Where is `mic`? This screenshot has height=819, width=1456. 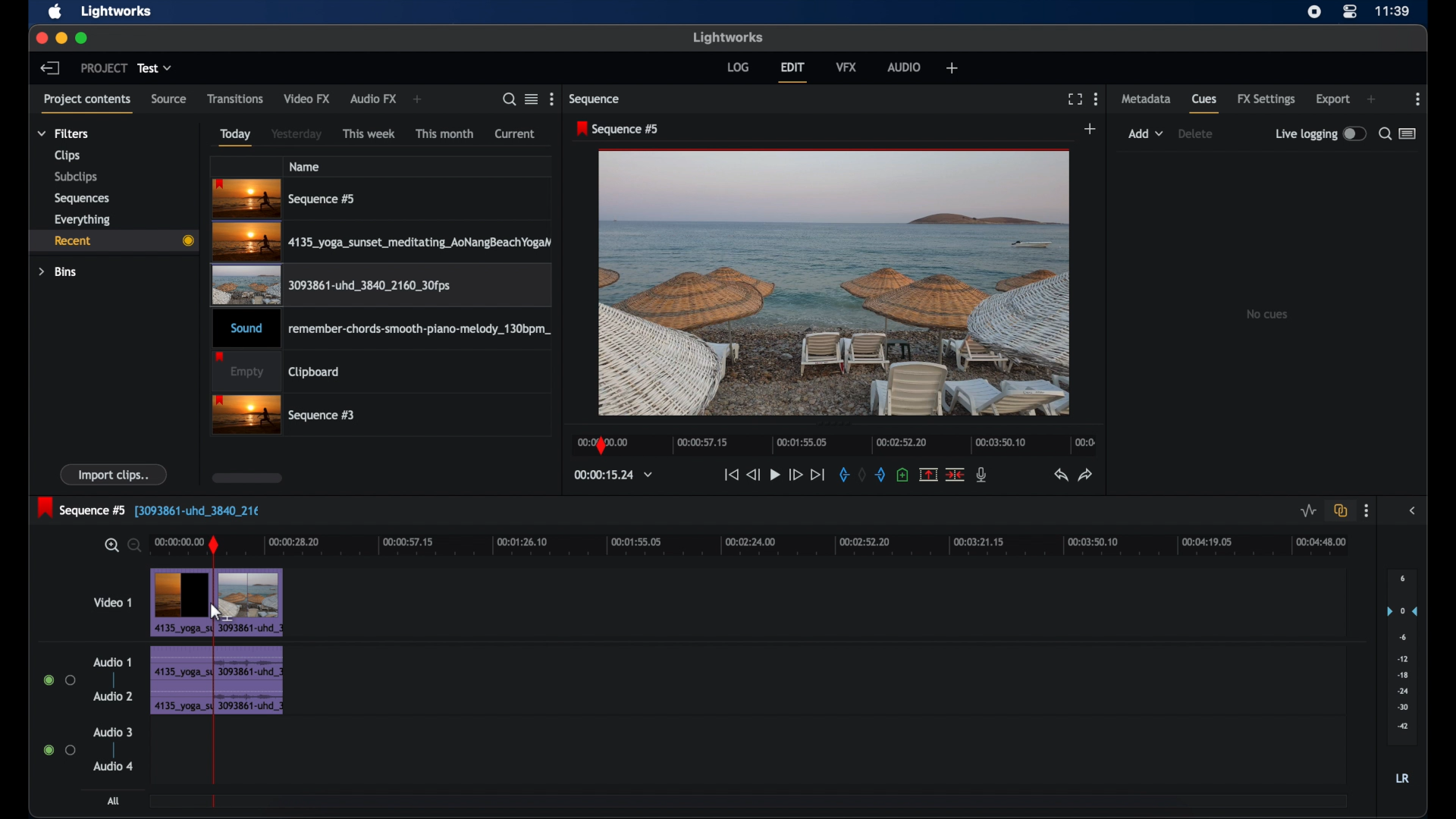 mic is located at coordinates (983, 475).